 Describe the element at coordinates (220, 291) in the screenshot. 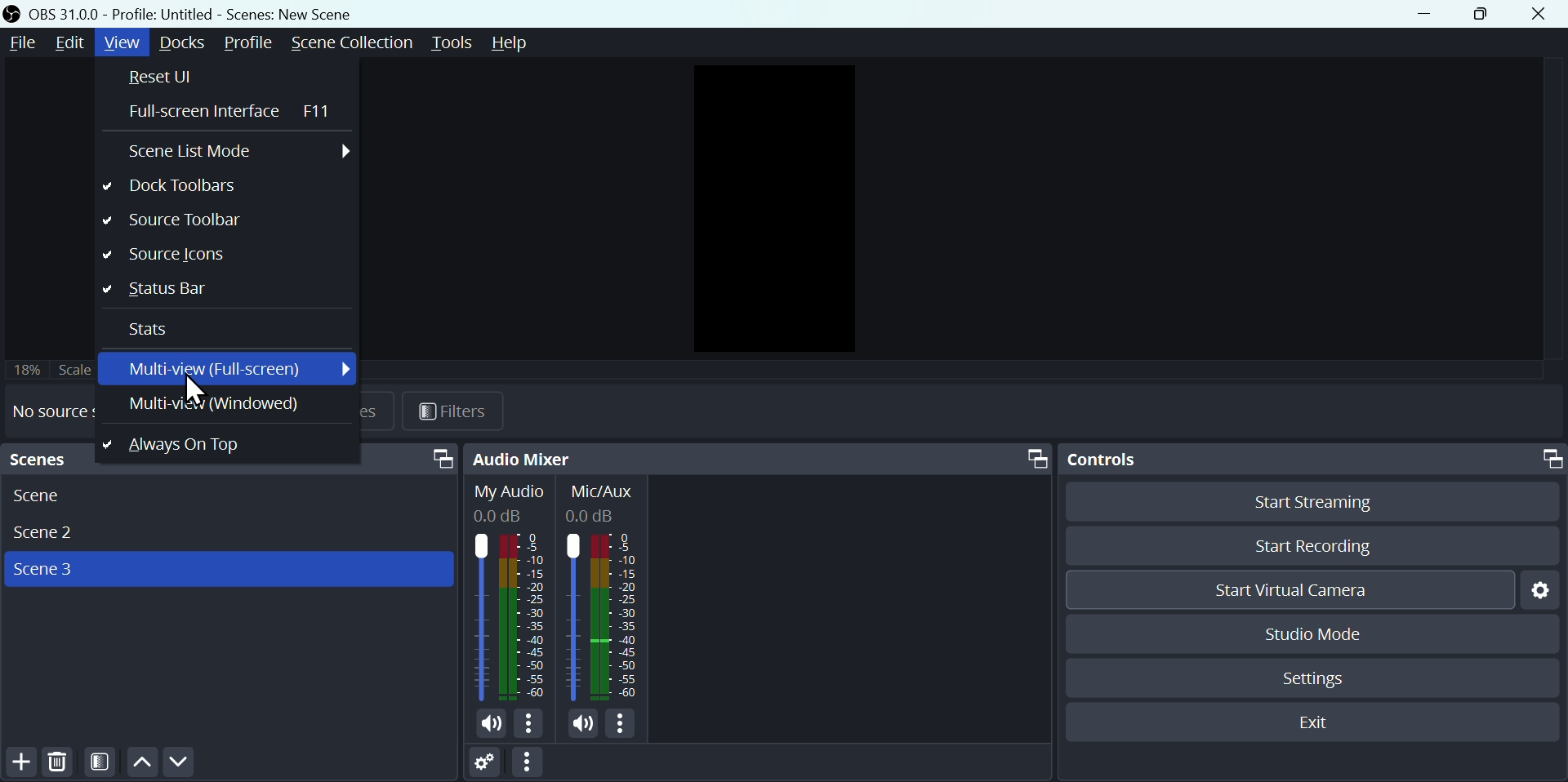

I see `Status bar` at that location.